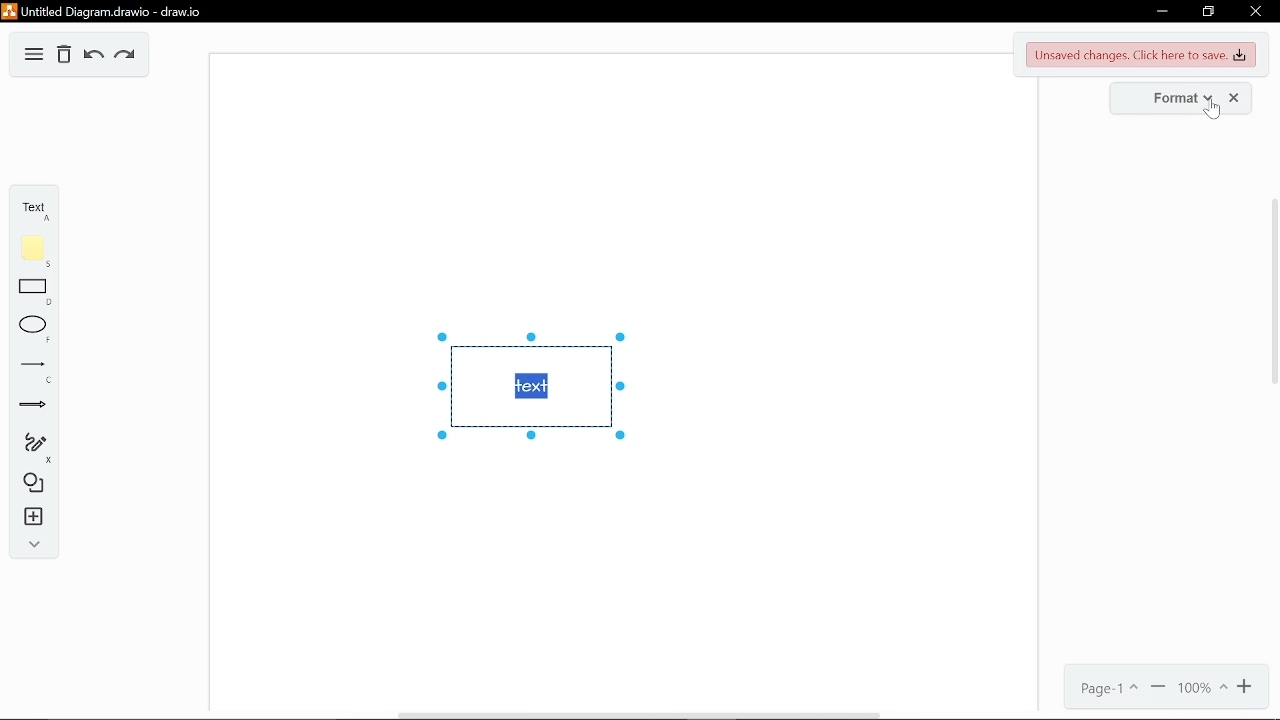 Image resolution: width=1280 pixels, height=720 pixels. Describe the element at coordinates (64, 55) in the screenshot. I see `delete` at that location.